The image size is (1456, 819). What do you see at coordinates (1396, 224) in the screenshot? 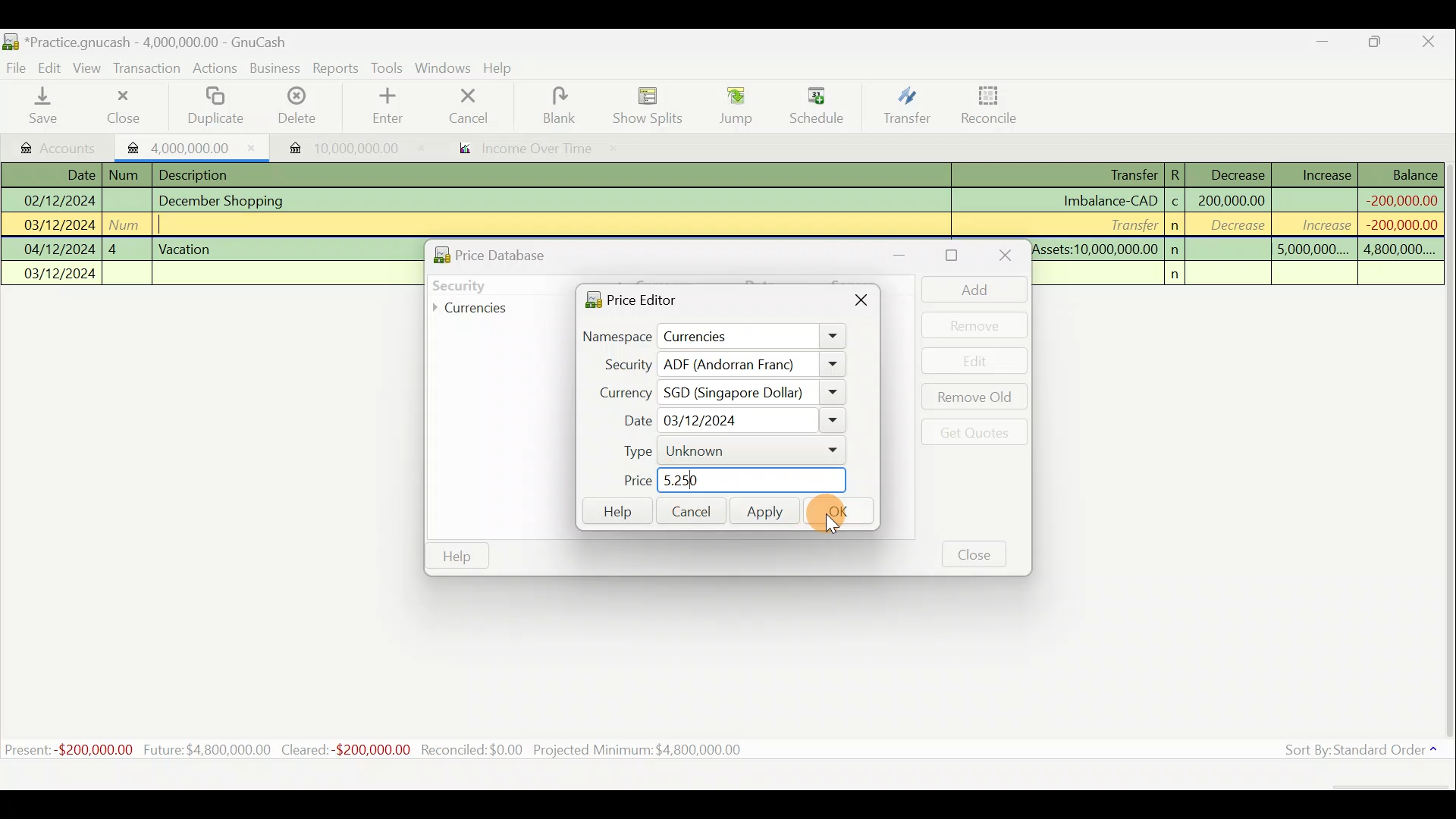
I see `-200,000,000` at bounding box center [1396, 224].